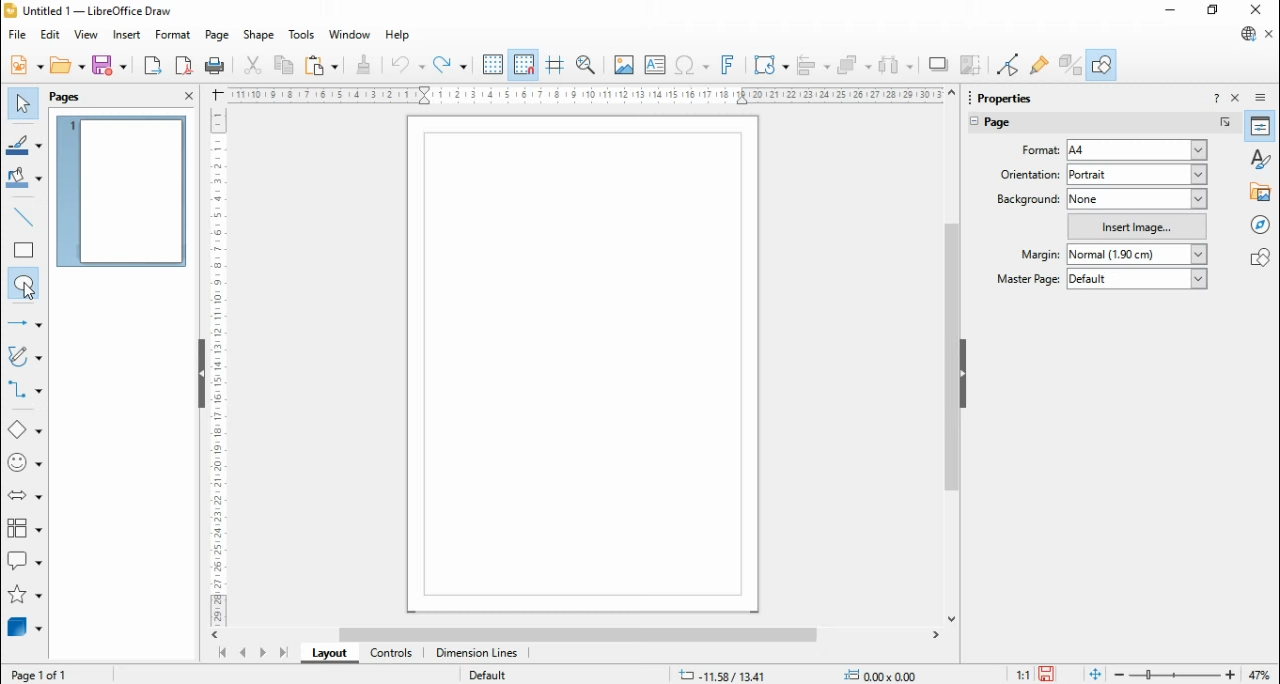  What do you see at coordinates (1014, 96) in the screenshot?
I see `properties` at bounding box center [1014, 96].